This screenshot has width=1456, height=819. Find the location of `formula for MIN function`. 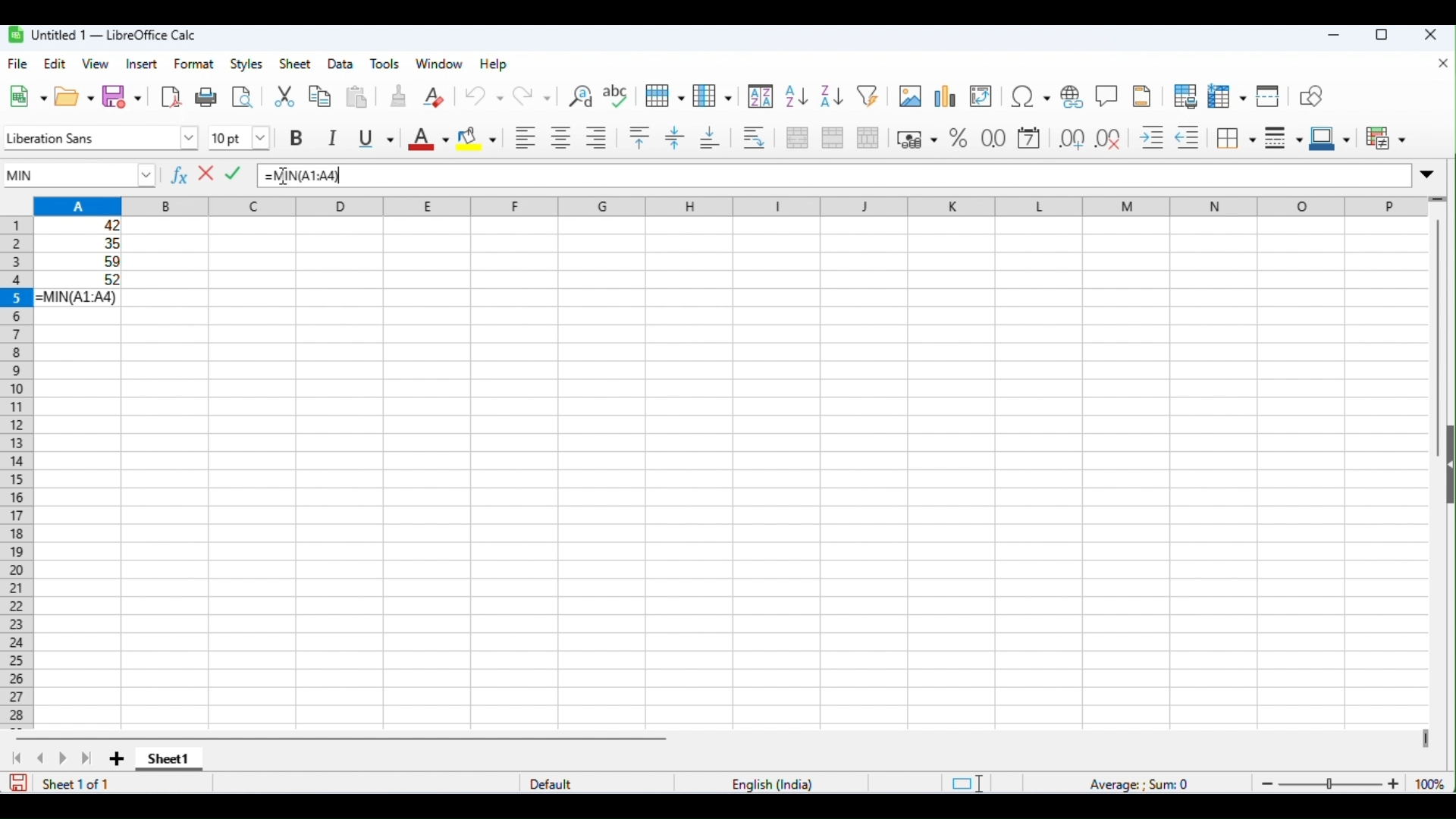

formula for MIN function is located at coordinates (76, 299).